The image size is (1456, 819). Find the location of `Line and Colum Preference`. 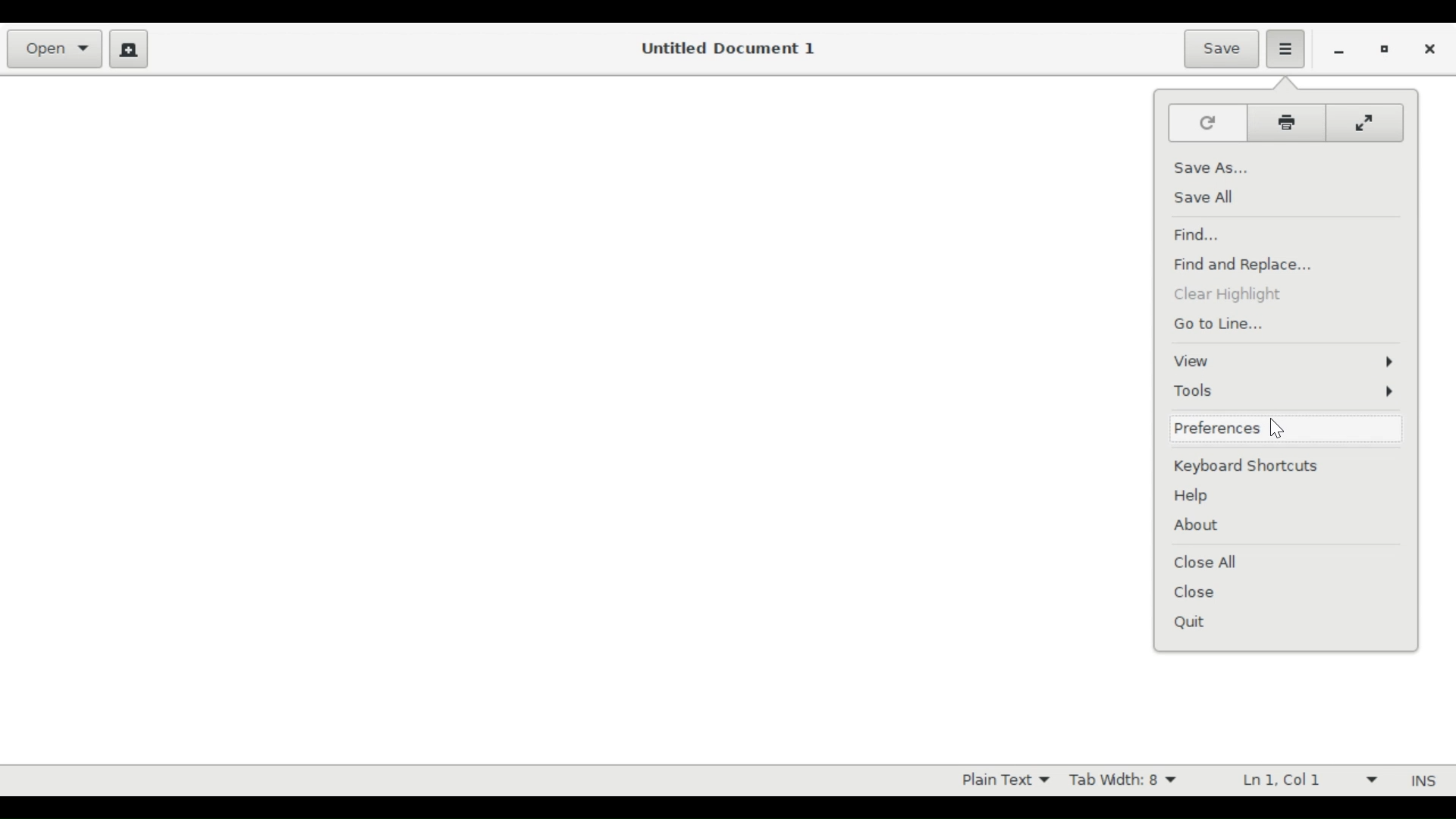

Line and Colum Preference is located at coordinates (1307, 780).